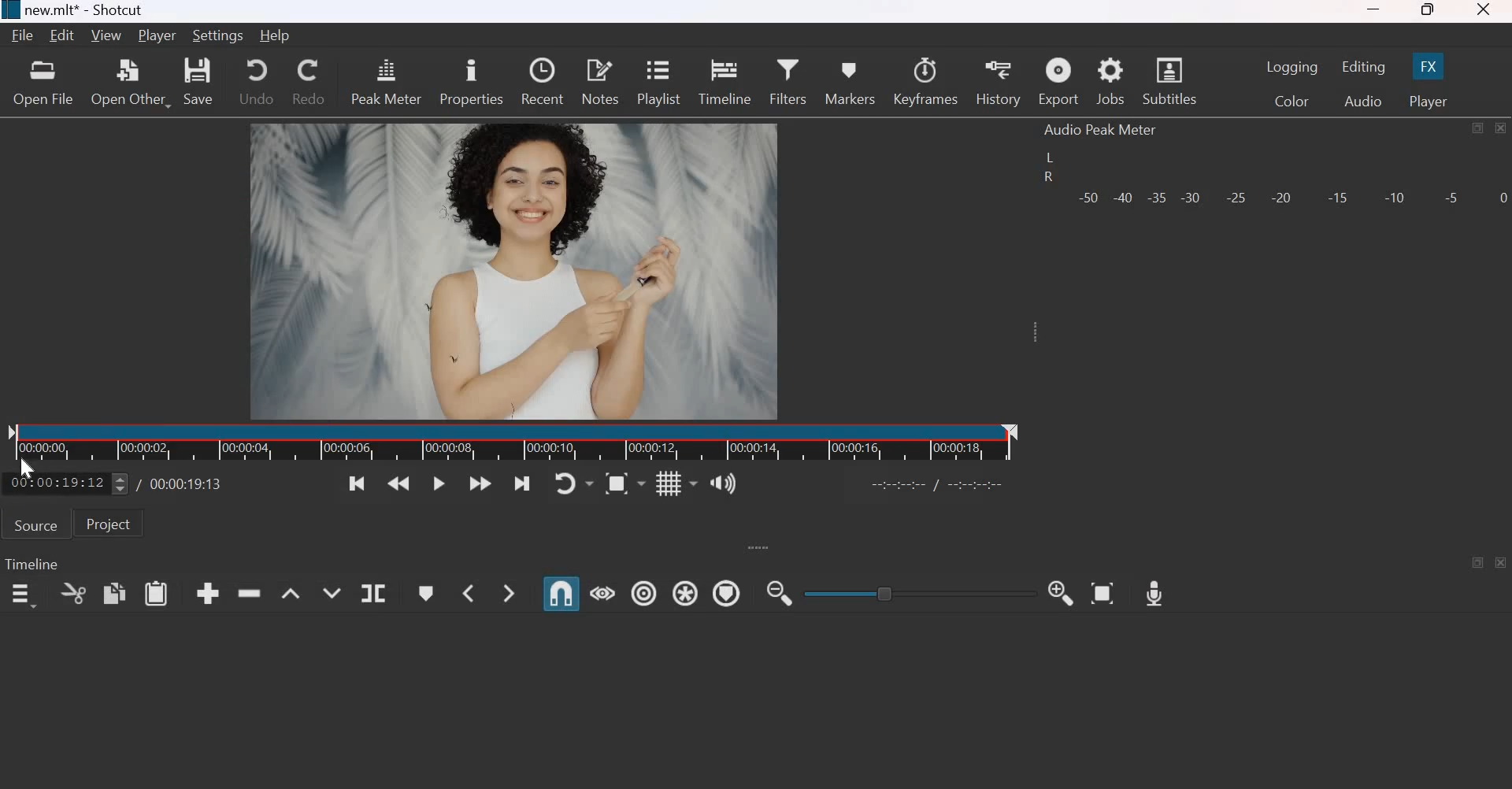 The height and width of the screenshot is (789, 1512). Describe the element at coordinates (438, 483) in the screenshot. I see `Toggle play or pause` at that location.